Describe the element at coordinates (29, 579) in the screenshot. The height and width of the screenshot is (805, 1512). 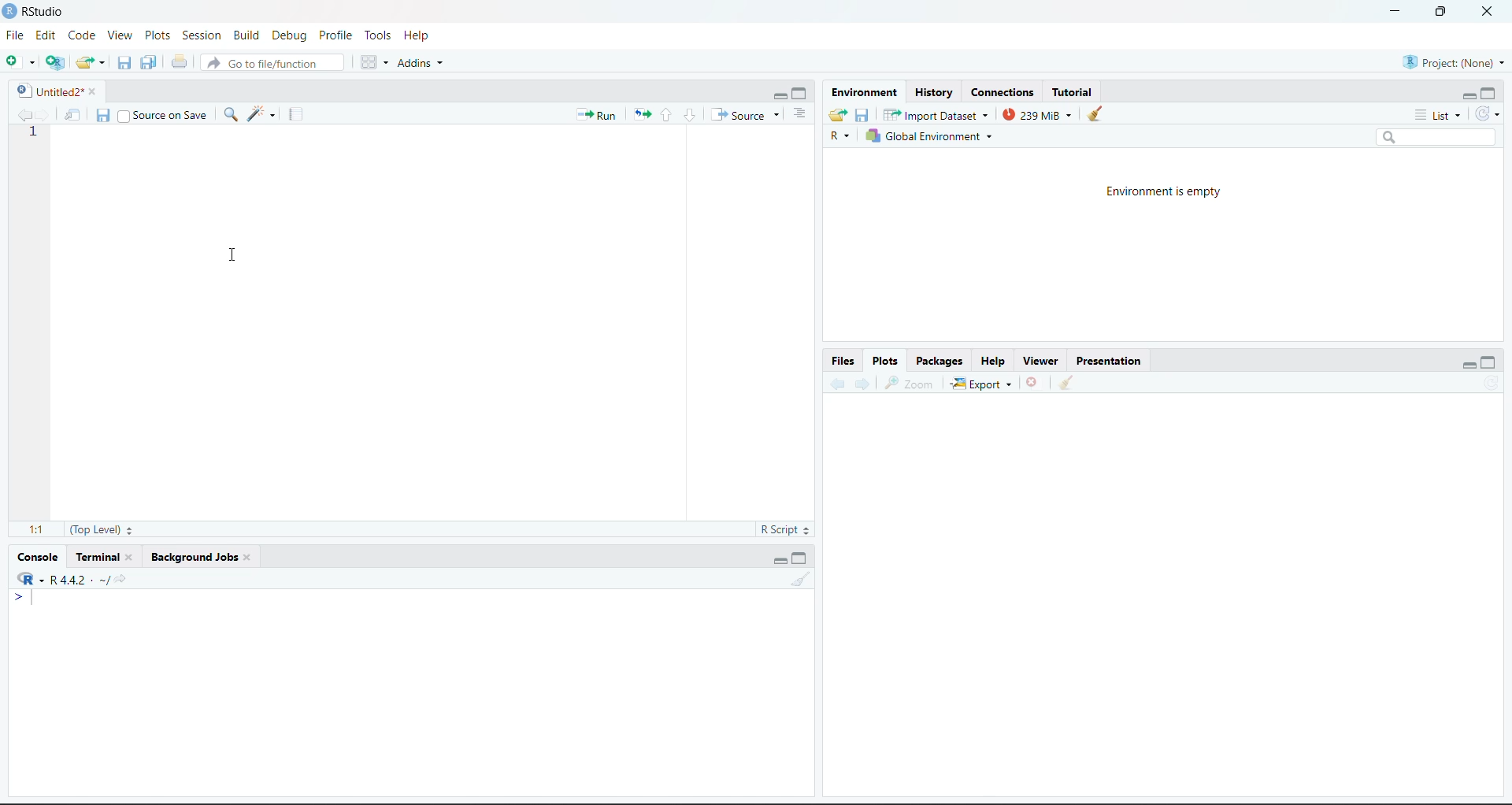
I see `R` at that location.